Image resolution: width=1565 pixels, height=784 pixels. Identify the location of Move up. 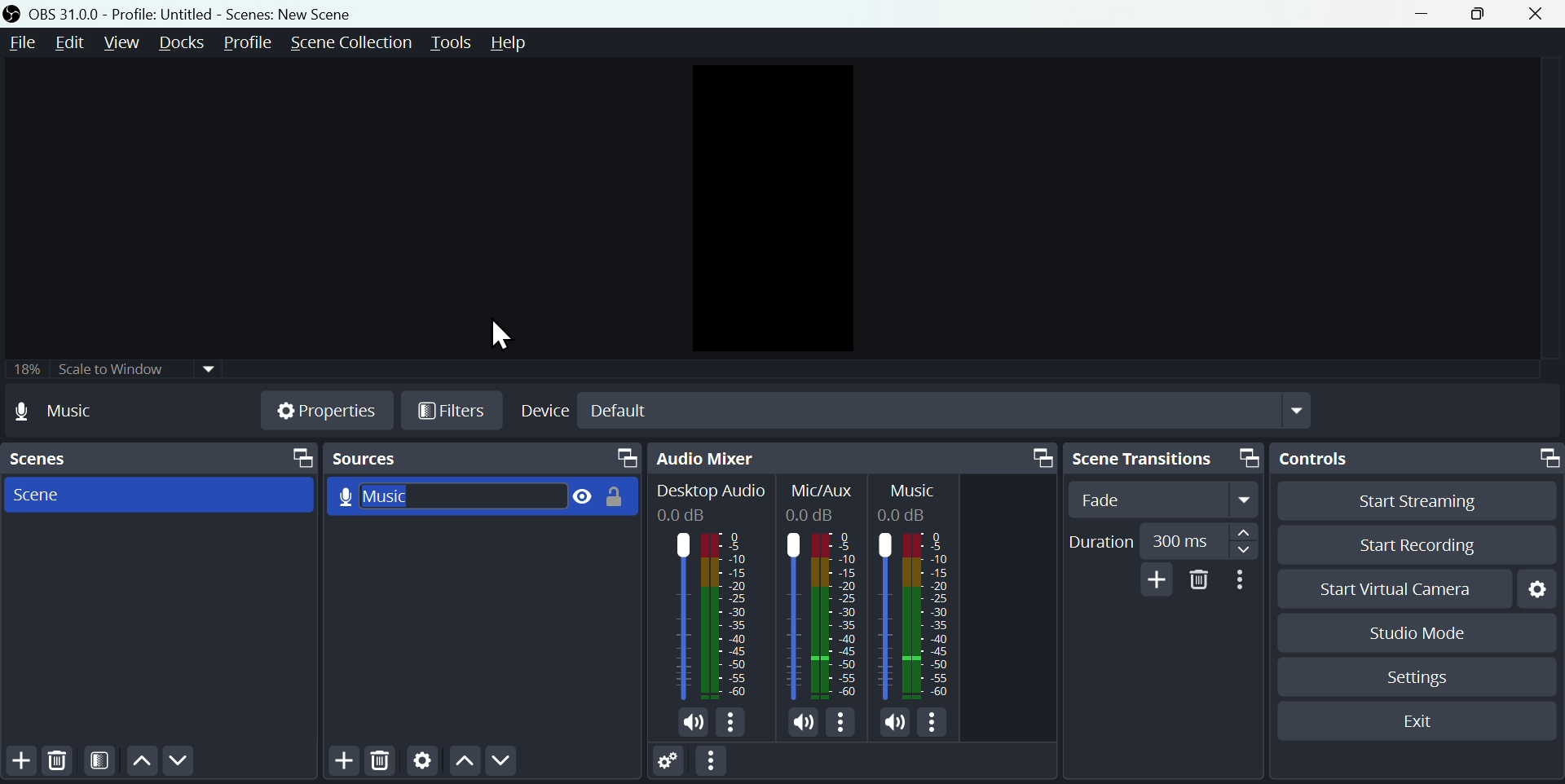
(142, 760).